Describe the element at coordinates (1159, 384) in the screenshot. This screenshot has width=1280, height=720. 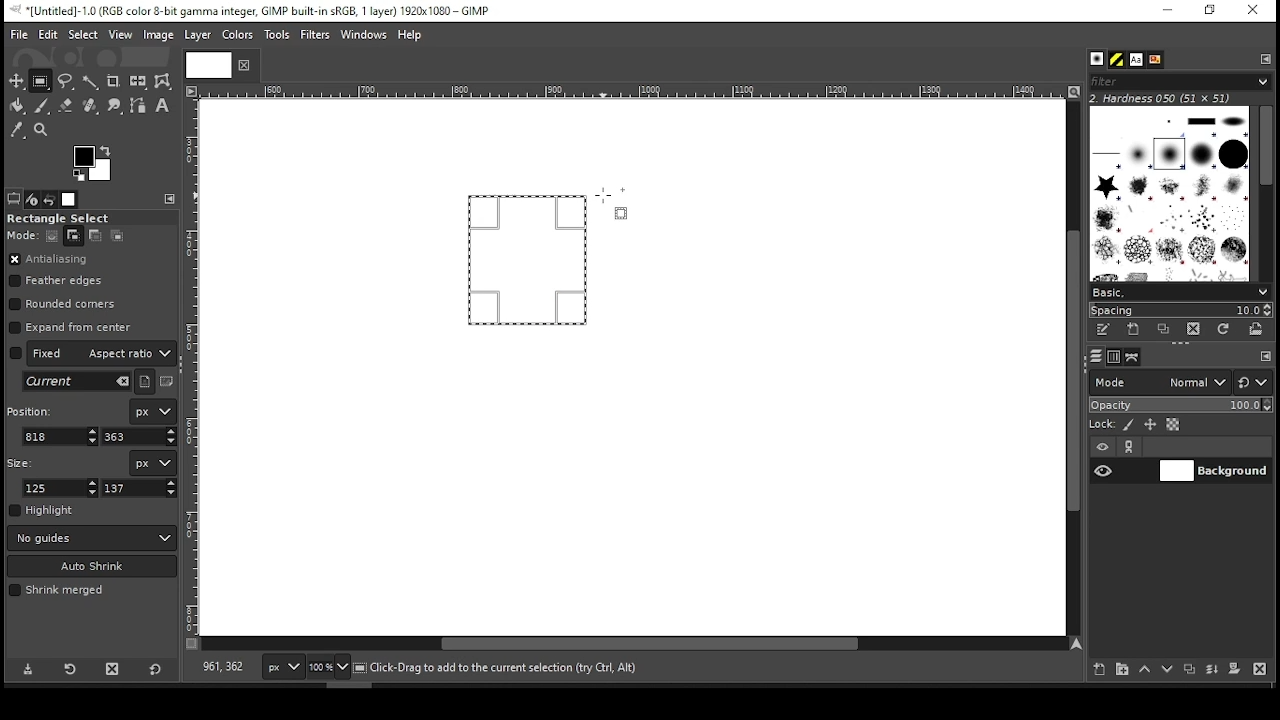
I see `mode` at that location.